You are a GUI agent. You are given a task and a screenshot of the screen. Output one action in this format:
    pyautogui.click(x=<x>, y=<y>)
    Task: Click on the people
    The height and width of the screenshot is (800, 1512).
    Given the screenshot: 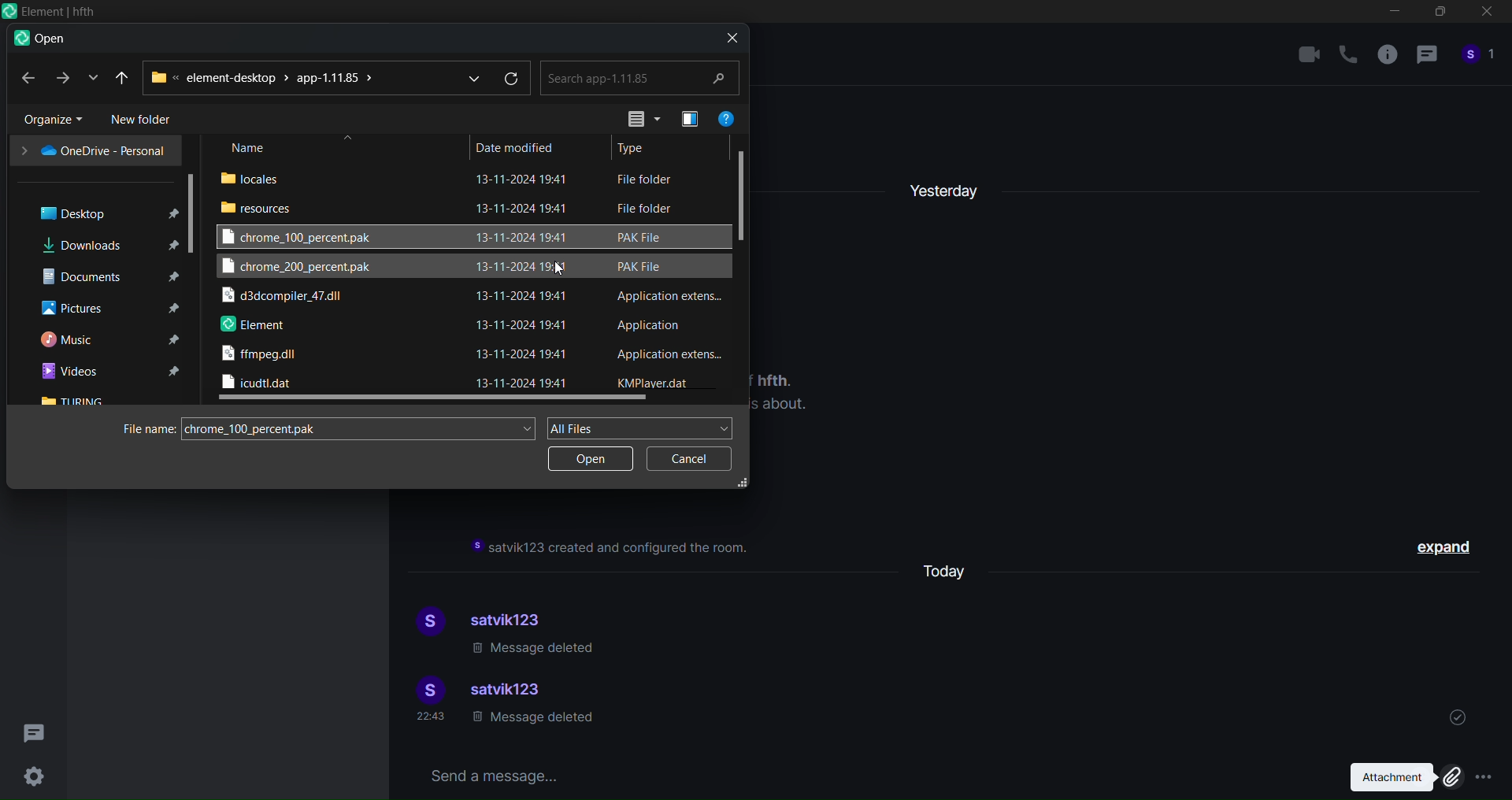 What is the action you would take?
    pyautogui.click(x=1479, y=59)
    